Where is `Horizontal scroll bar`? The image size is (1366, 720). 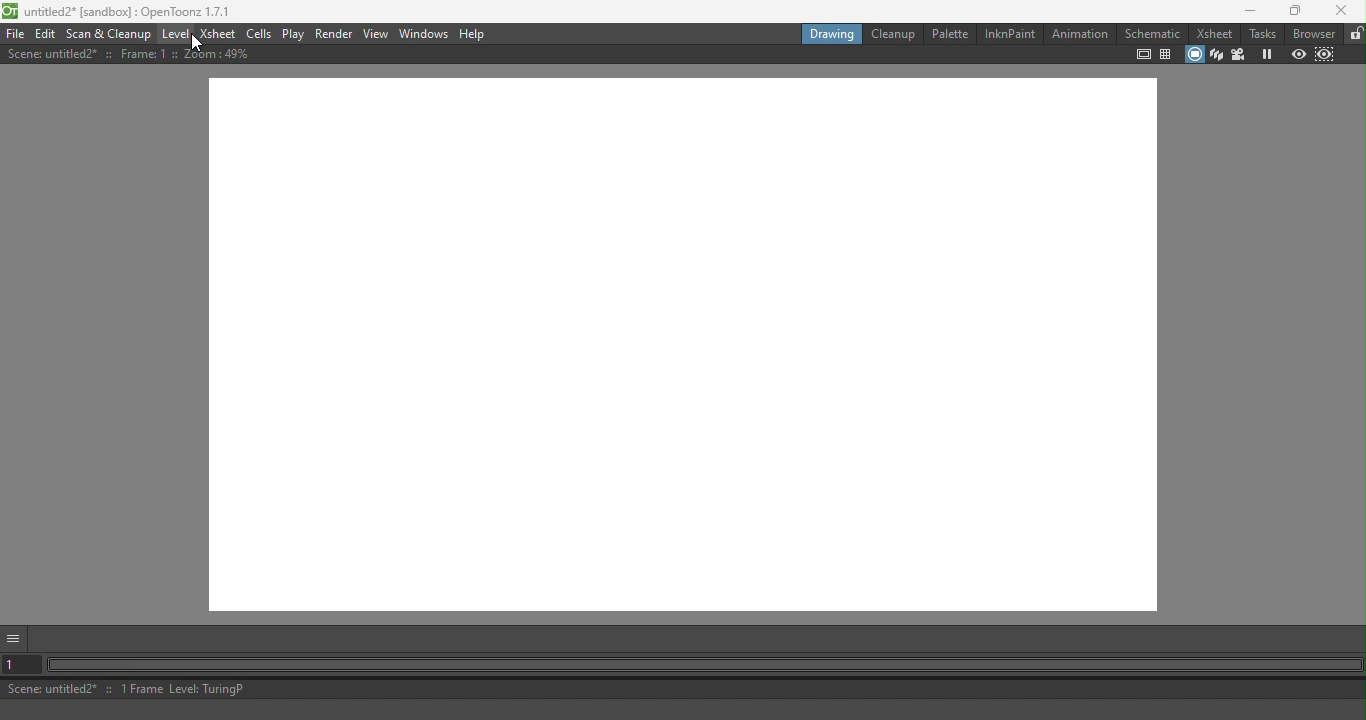 Horizontal scroll bar is located at coordinates (705, 666).